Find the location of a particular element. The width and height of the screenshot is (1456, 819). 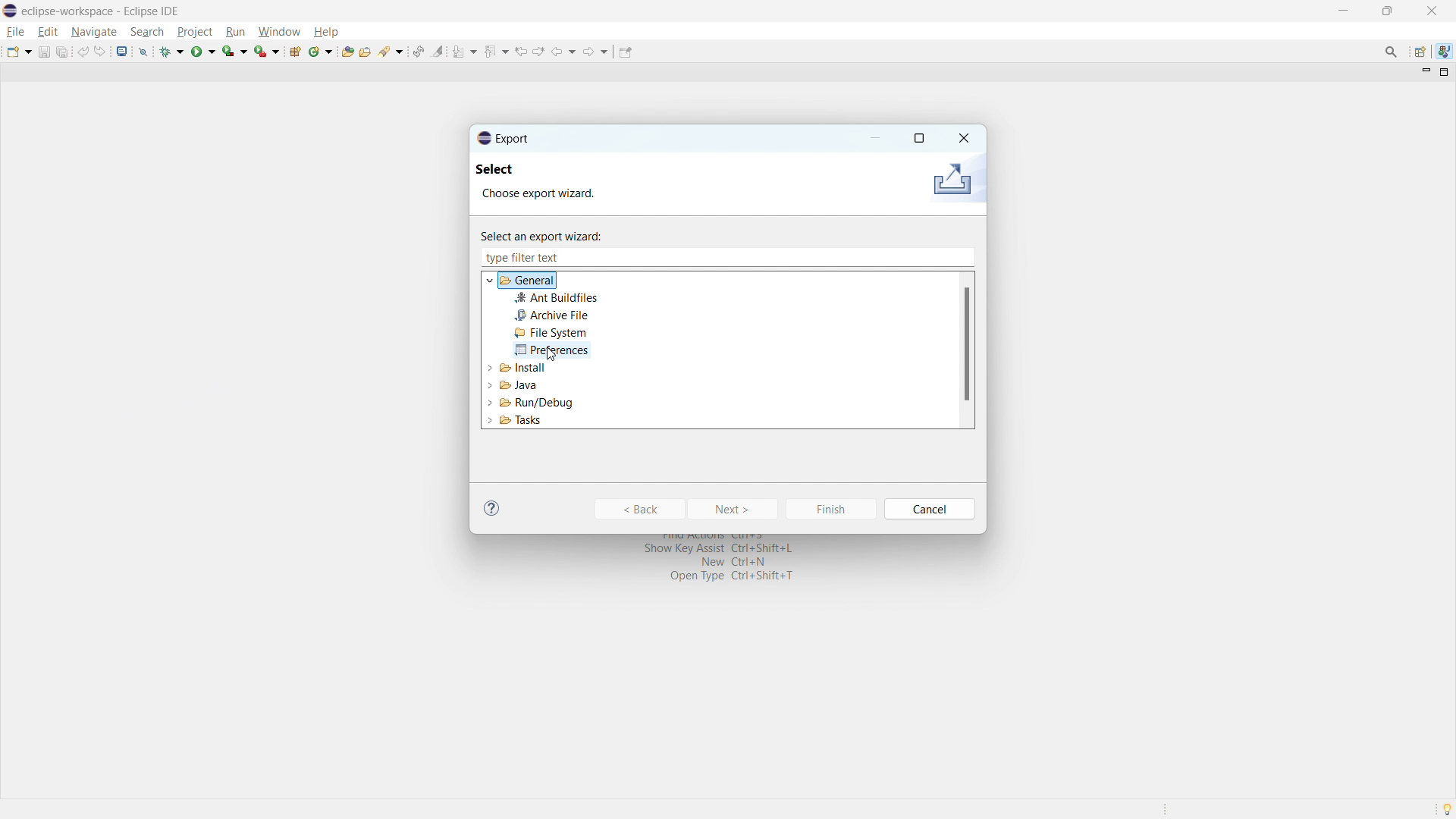

close is located at coordinates (1431, 11).